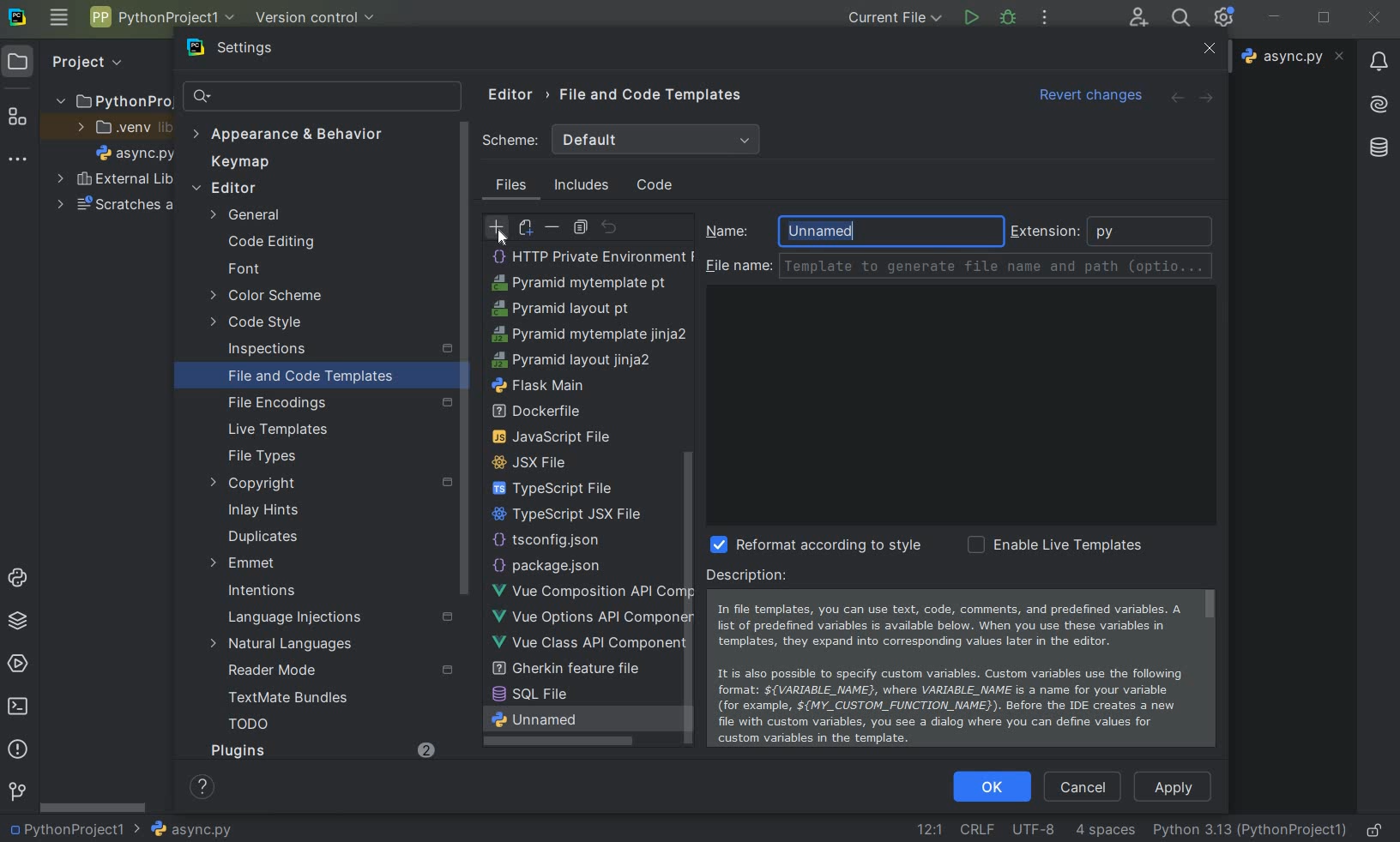 The height and width of the screenshot is (842, 1400). What do you see at coordinates (1376, 827) in the screenshot?
I see `make file ready only` at bounding box center [1376, 827].